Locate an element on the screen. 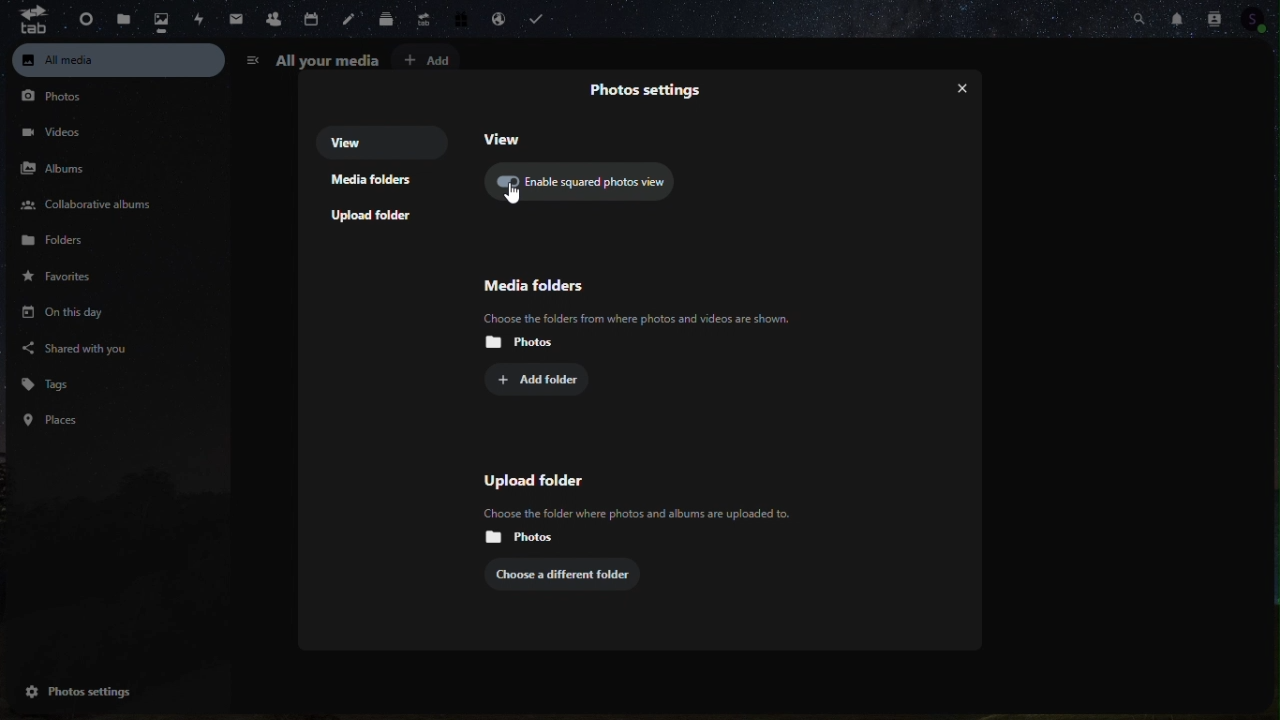  Media folder is located at coordinates (627, 282).